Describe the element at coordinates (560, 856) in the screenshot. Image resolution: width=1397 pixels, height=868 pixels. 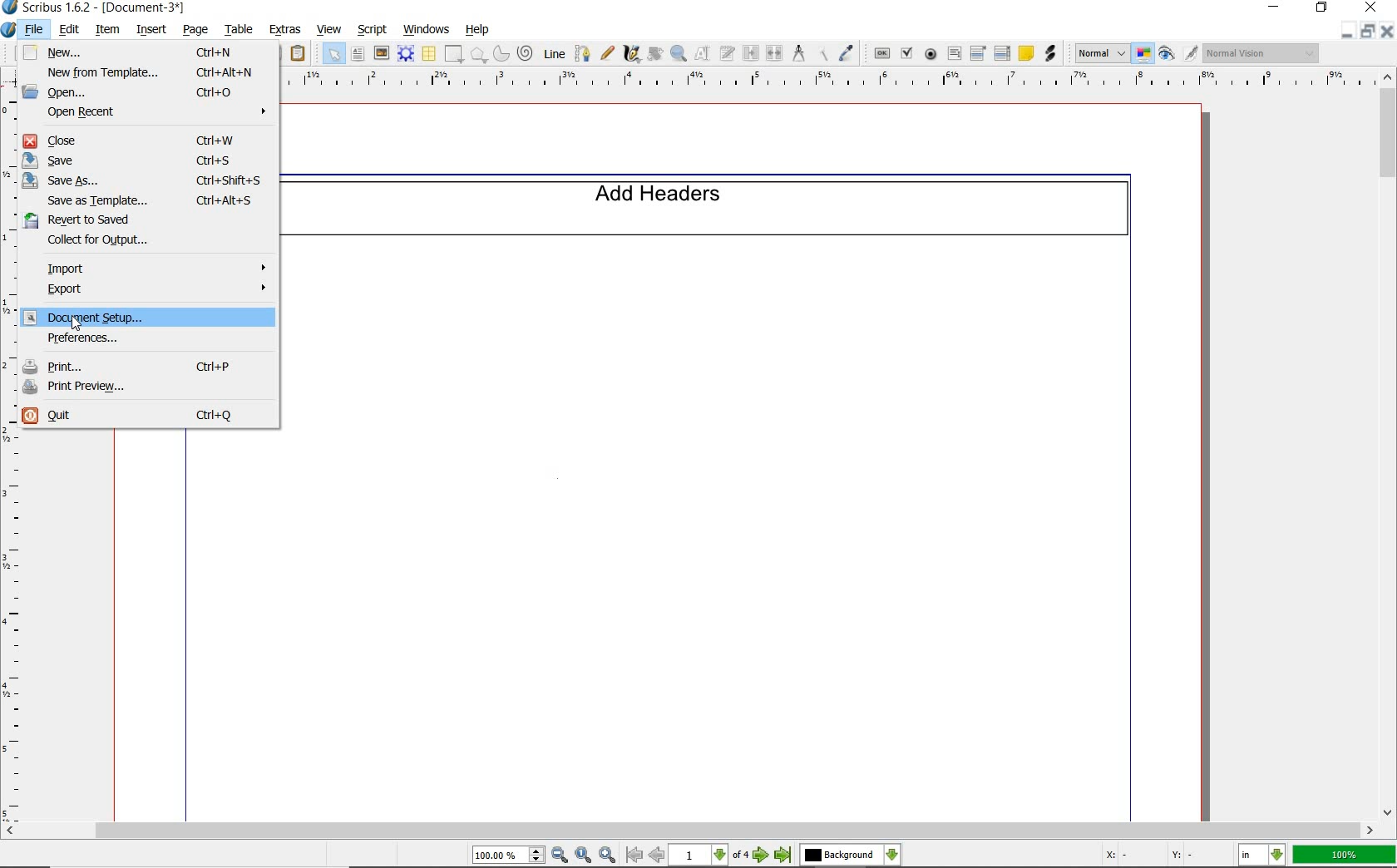
I see `zoom out` at that location.